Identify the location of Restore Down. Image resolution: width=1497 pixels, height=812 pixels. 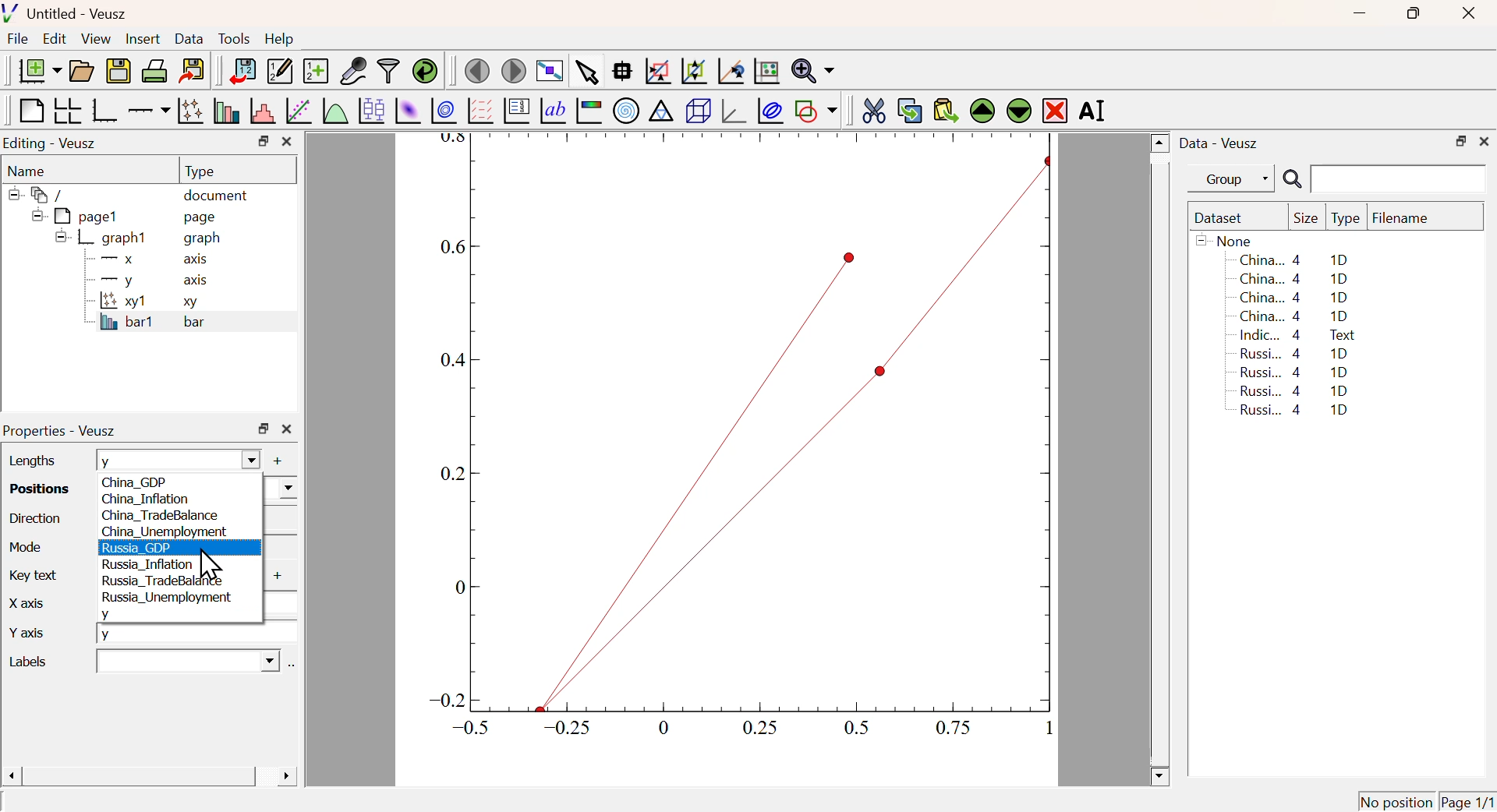
(264, 429).